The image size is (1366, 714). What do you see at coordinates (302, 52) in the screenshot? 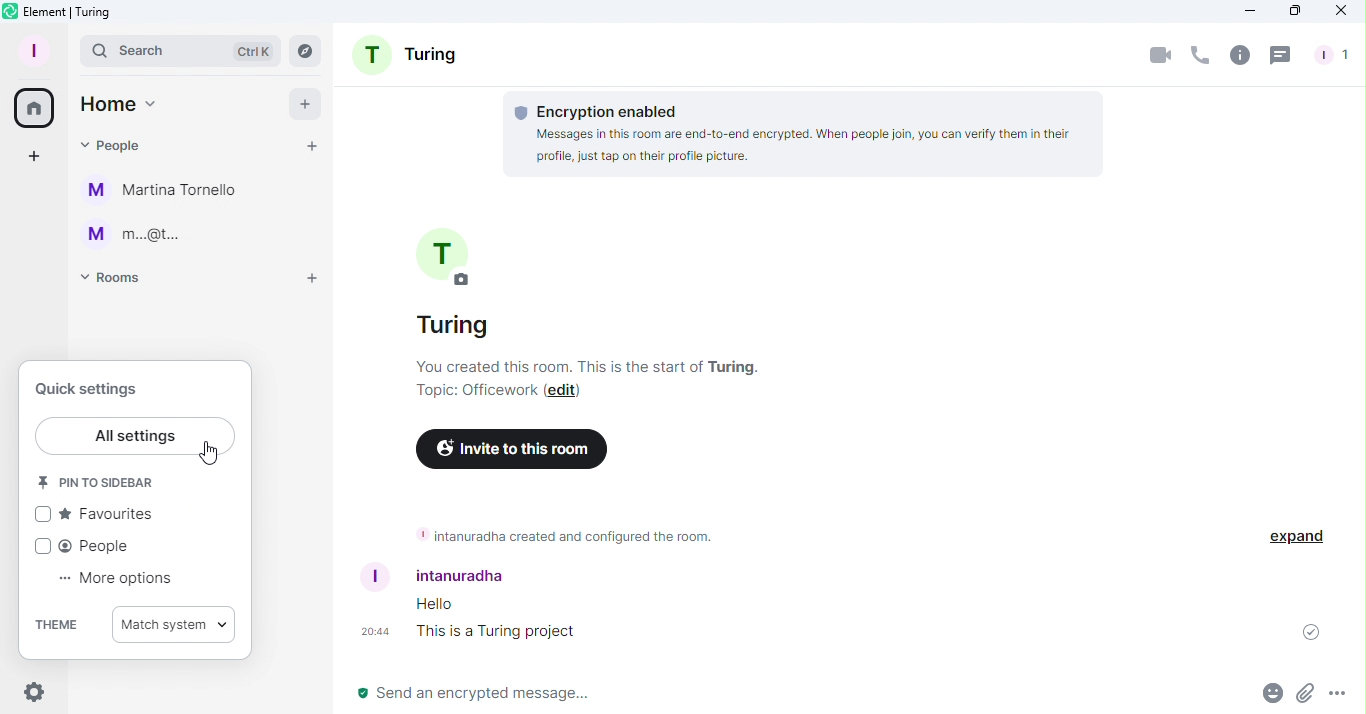
I see `Explore rooms` at bounding box center [302, 52].